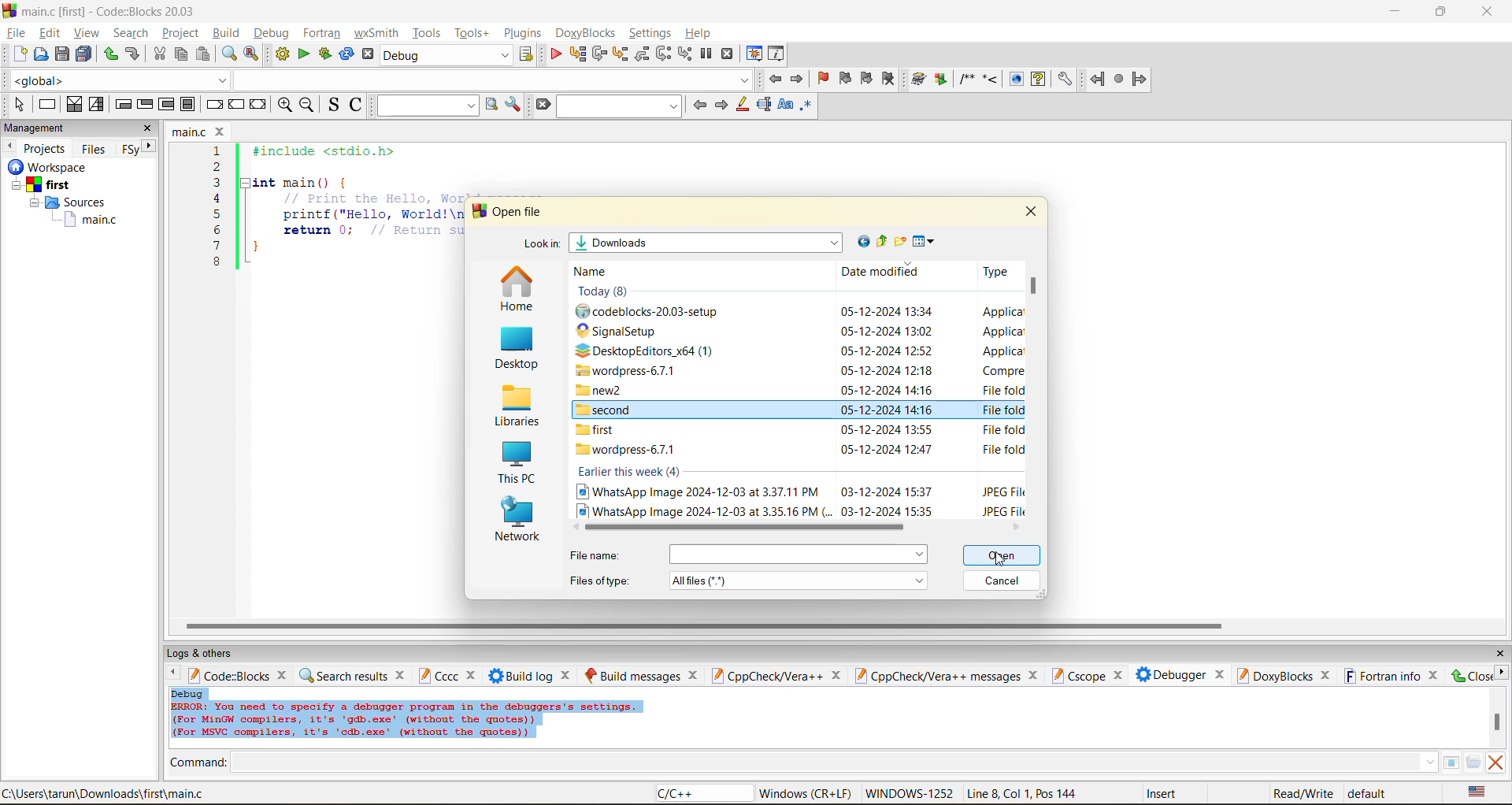 The height and width of the screenshot is (805, 1512). What do you see at coordinates (604, 390) in the screenshot?
I see `new2 folder` at bounding box center [604, 390].